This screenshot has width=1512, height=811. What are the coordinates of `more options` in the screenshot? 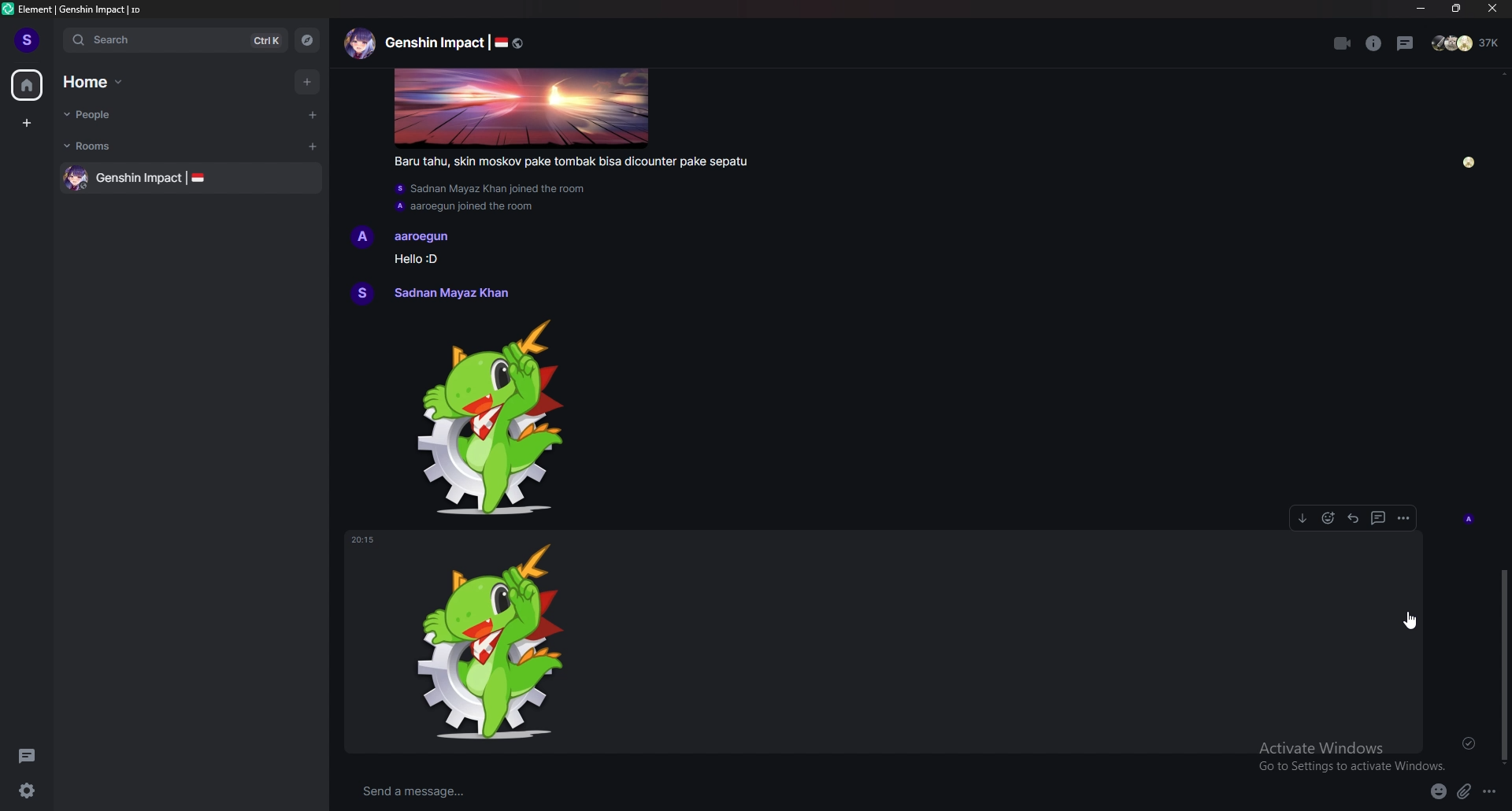 It's located at (1488, 792).